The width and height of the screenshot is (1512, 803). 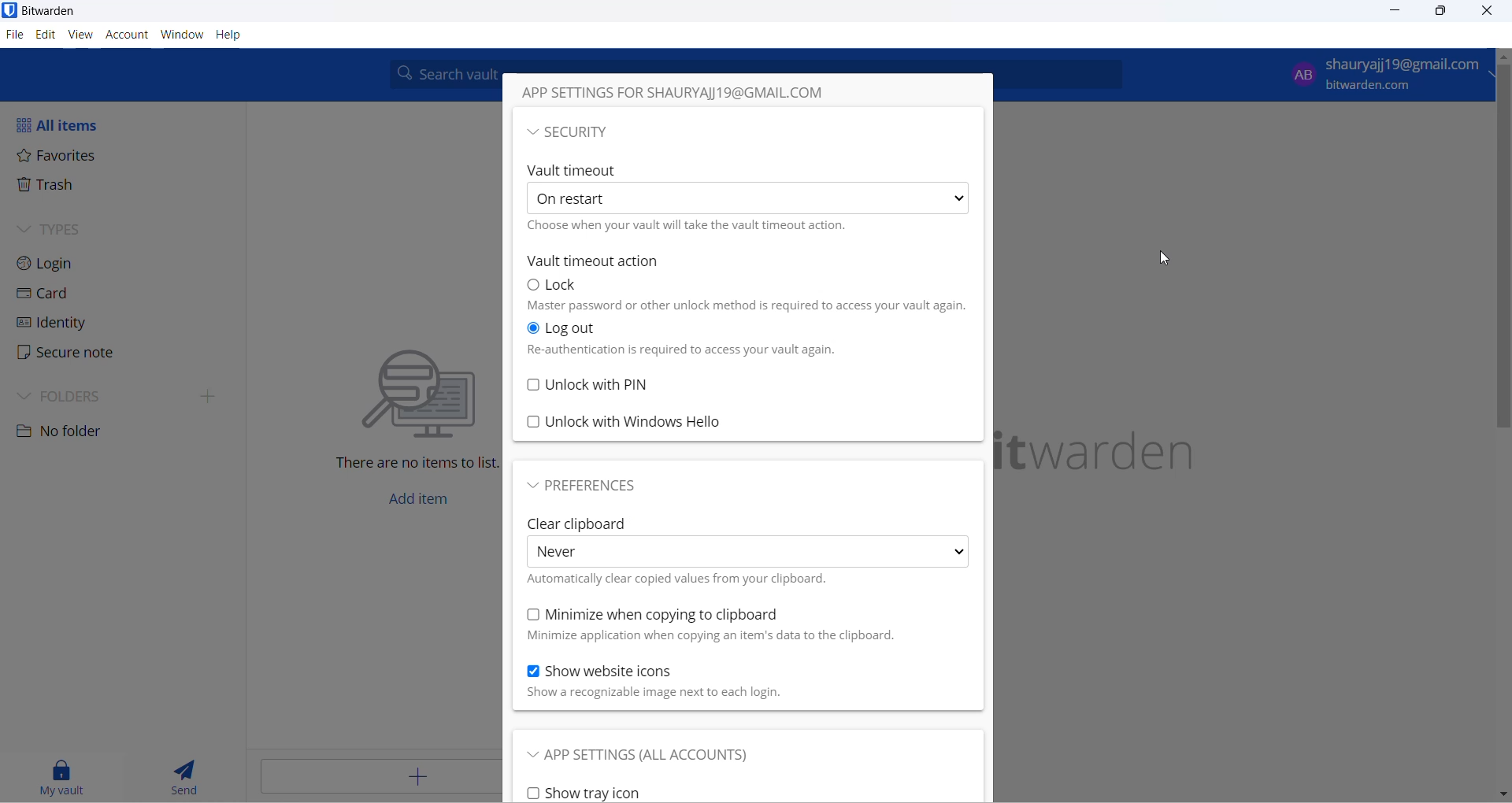 What do you see at coordinates (621, 672) in the screenshot?
I see `show website icon checkbox` at bounding box center [621, 672].